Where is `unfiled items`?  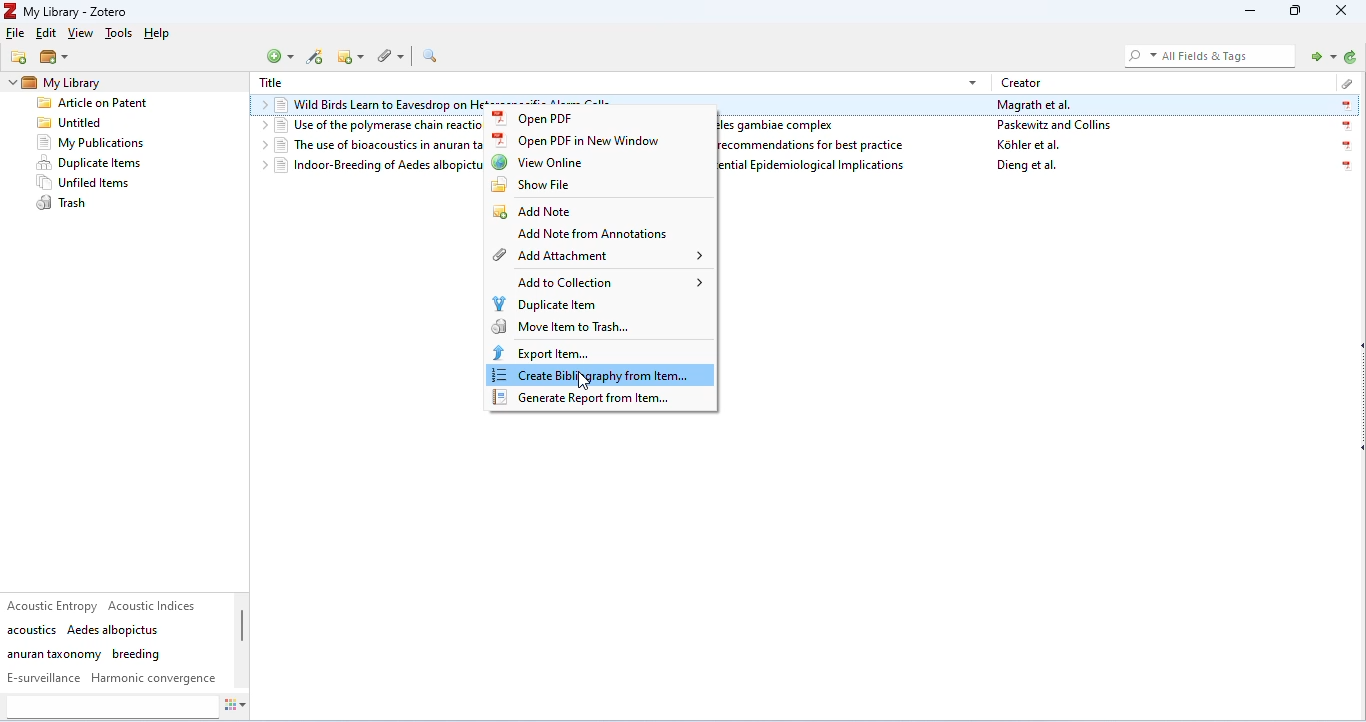
unfiled items is located at coordinates (88, 183).